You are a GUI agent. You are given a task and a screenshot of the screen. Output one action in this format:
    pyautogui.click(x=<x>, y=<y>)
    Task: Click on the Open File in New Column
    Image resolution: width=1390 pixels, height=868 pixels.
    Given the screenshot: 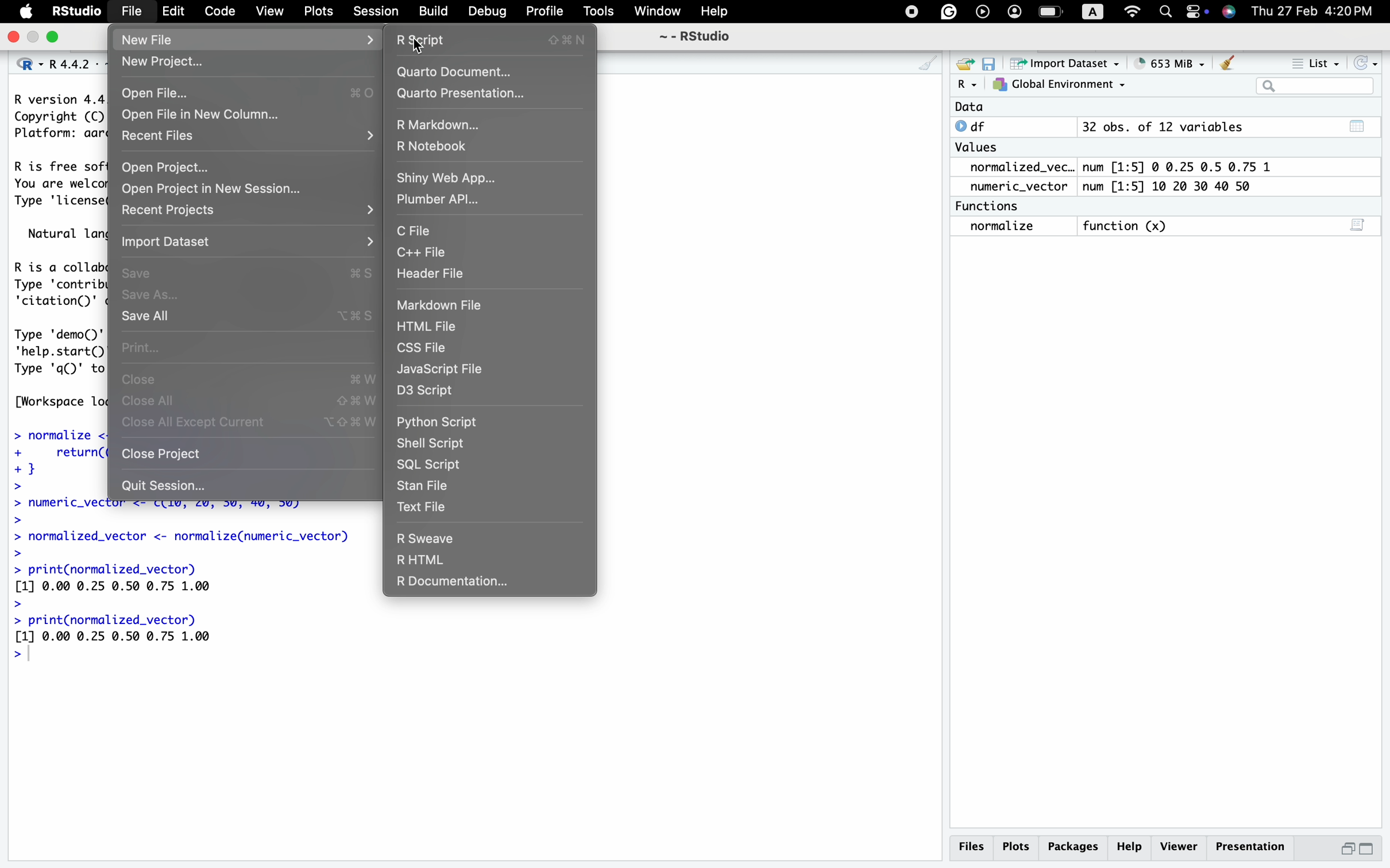 What is the action you would take?
    pyautogui.click(x=208, y=117)
    